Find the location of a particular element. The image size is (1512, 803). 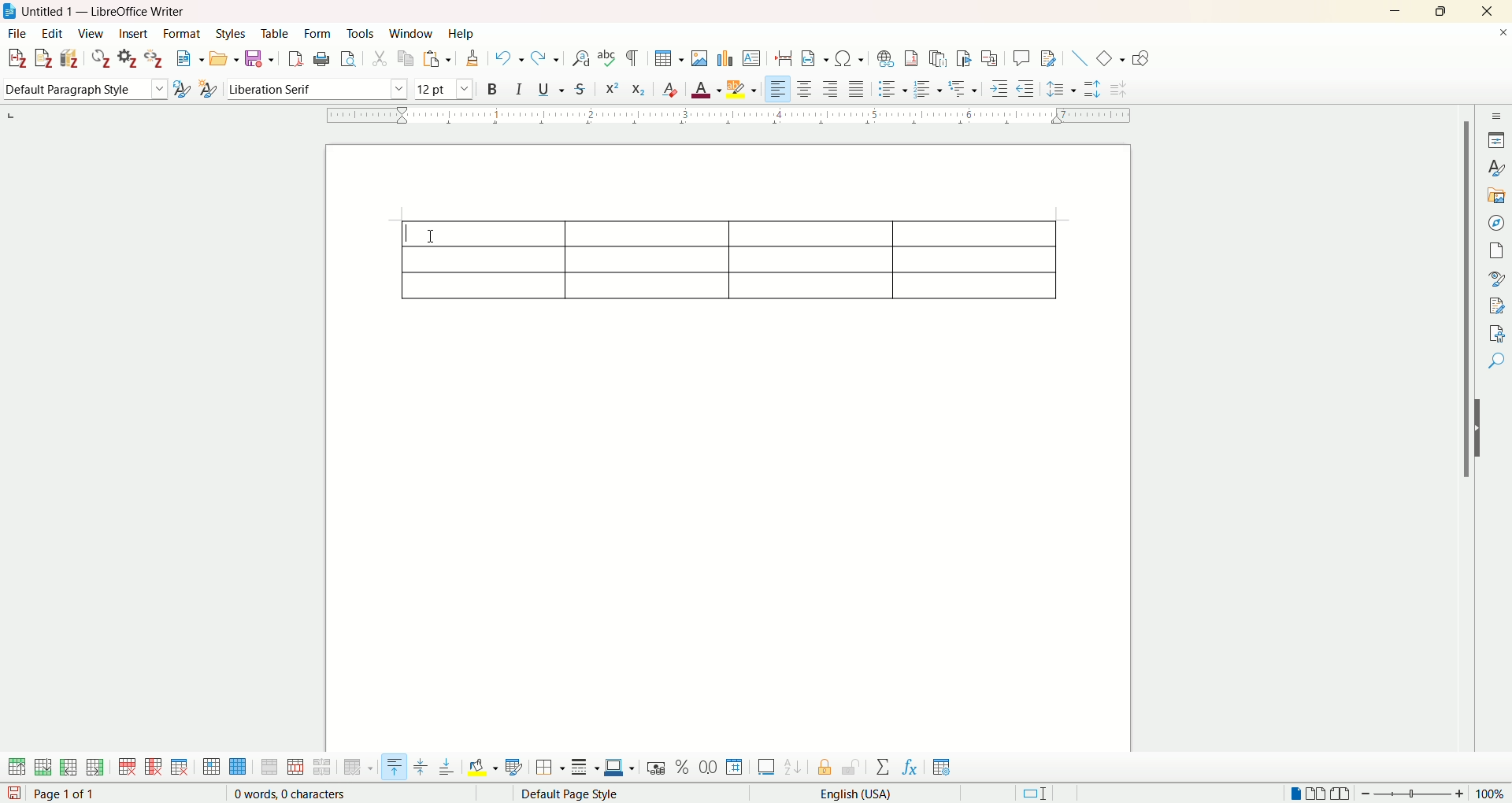

print is located at coordinates (323, 59).